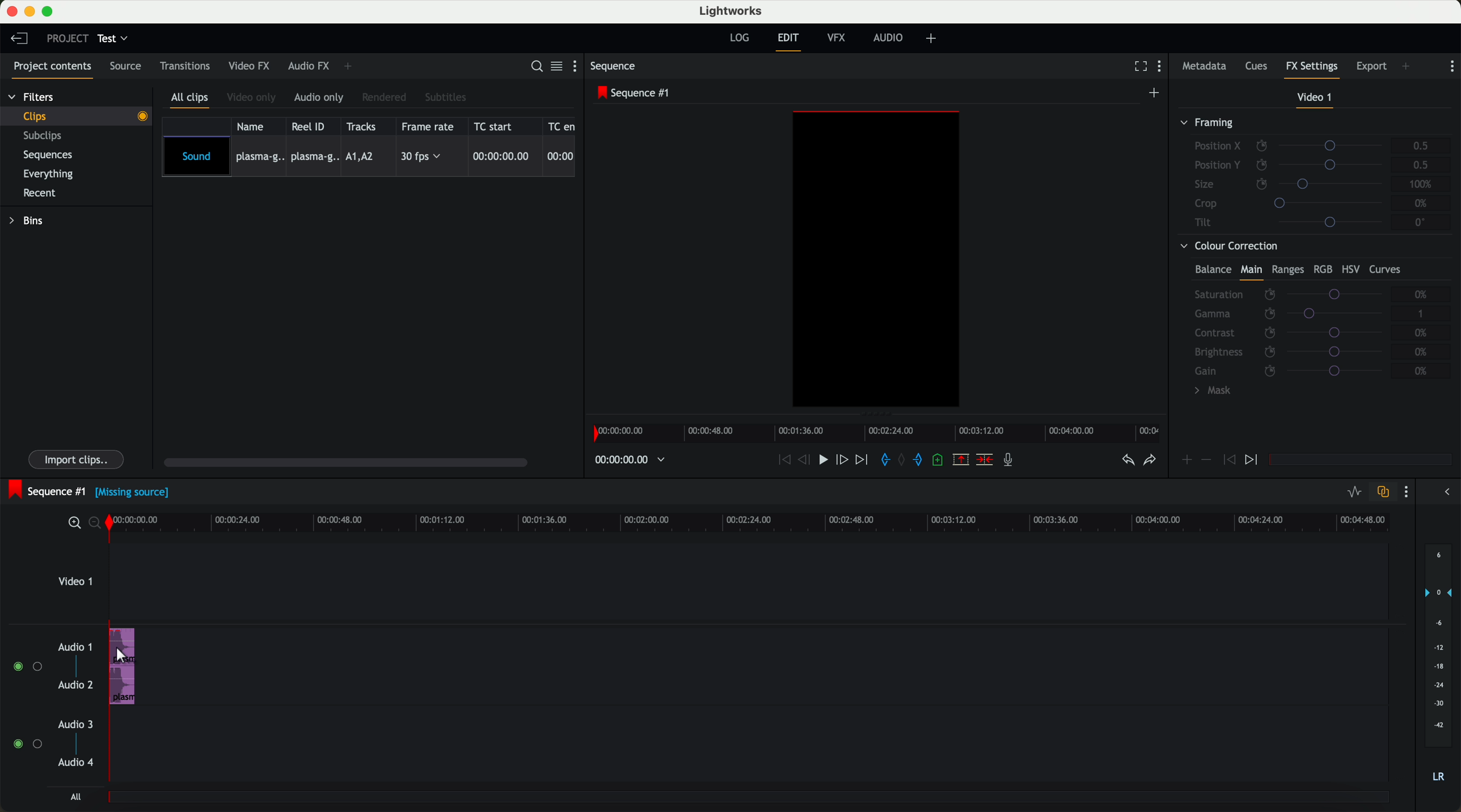 This screenshot has height=812, width=1461. Describe the element at coordinates (1148, 462) in the screenshot. I see `redo` at that location.